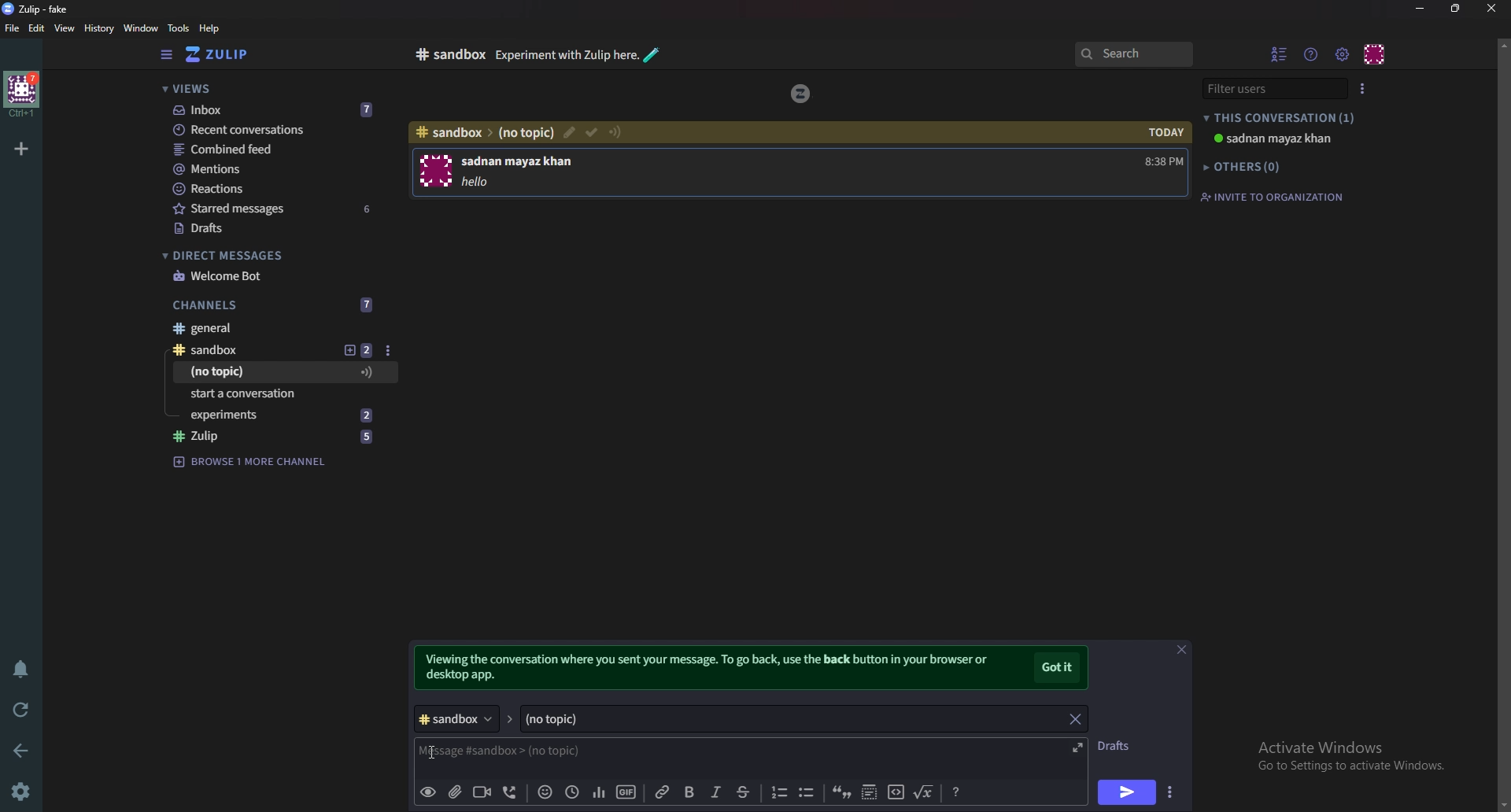 The height and width of the screenshot is (812, 1511). I want to click on Global time, so click(573, 792).